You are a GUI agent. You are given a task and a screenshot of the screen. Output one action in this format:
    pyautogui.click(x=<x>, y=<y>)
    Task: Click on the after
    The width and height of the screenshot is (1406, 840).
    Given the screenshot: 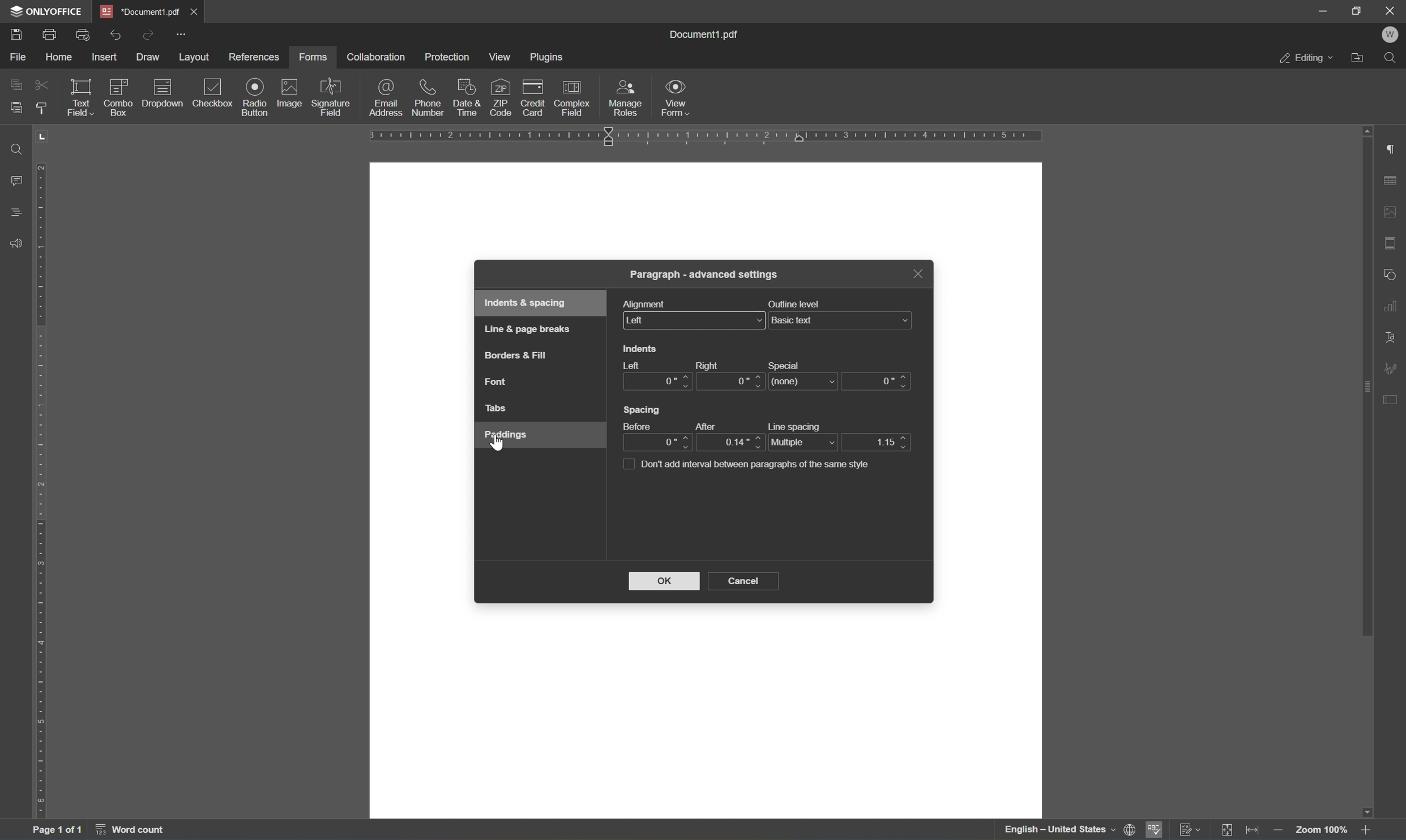 What is the action you would take?
    pyautogui.click(x=707, y=423)
    